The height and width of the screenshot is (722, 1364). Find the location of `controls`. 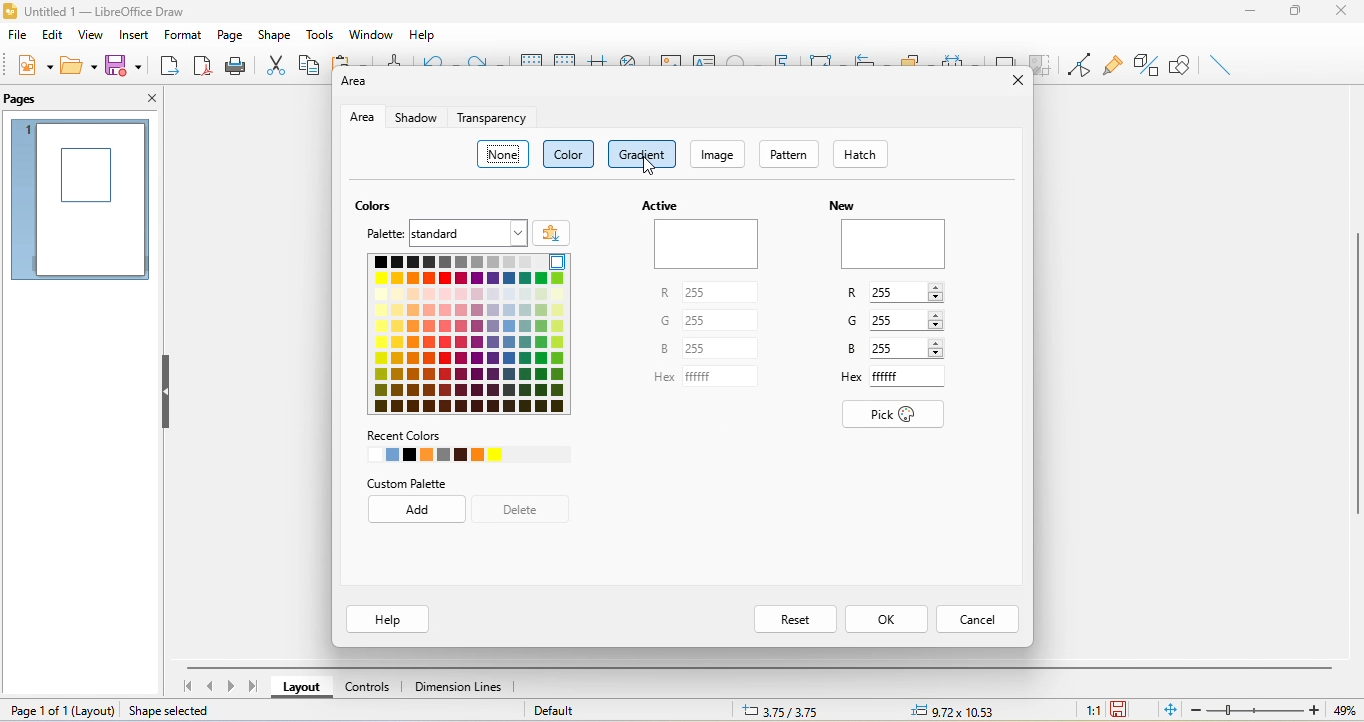

controls is located at coordinates (369, 685).